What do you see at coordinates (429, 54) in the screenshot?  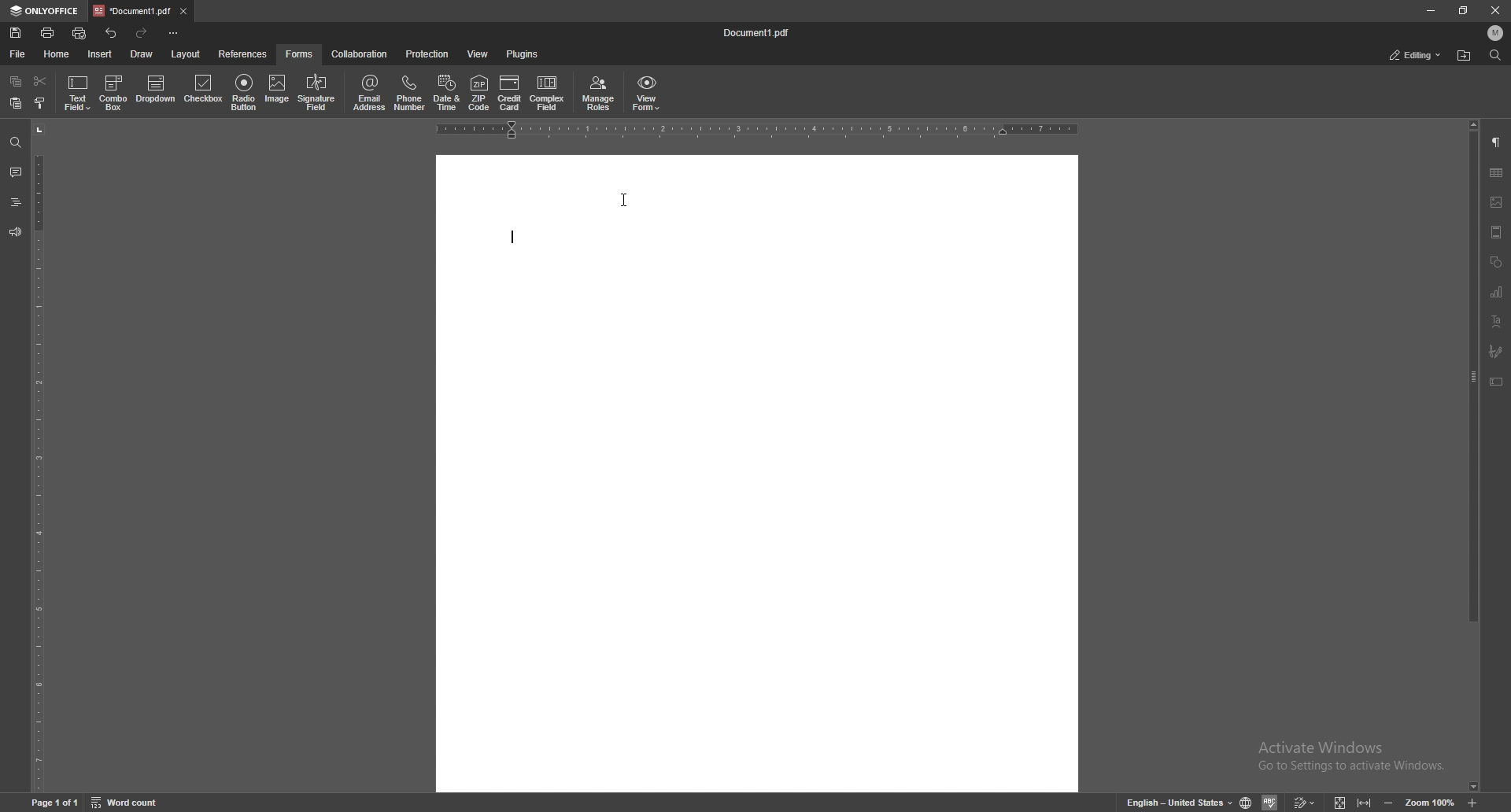 I see `protection` at bounding box center [429, 54].